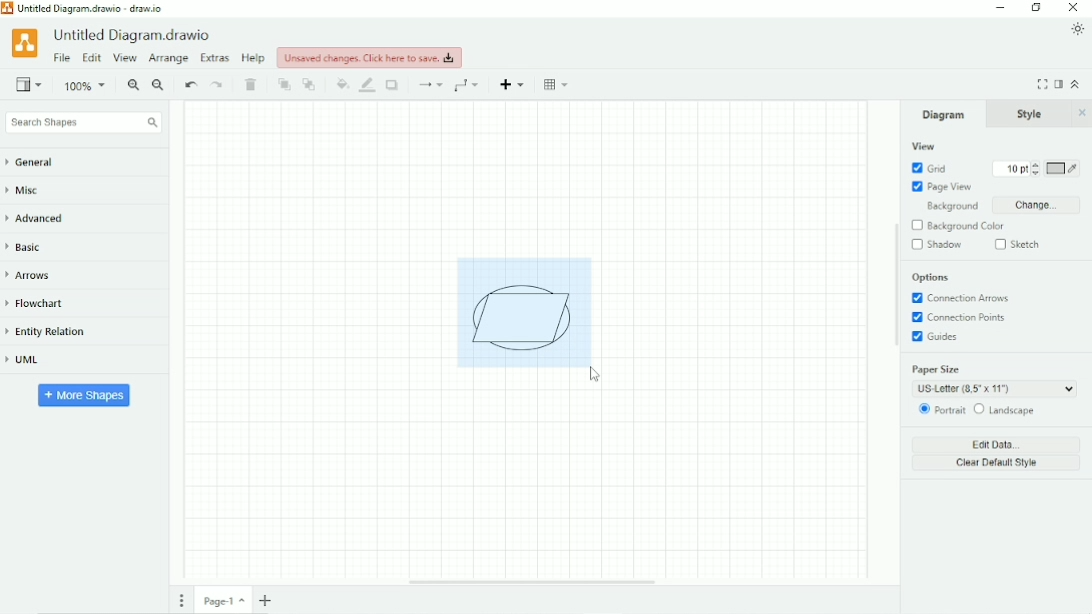 Image resolution: width=1092 pixels, height=614 pixels. I want to click on Background color, so click(967, 226).